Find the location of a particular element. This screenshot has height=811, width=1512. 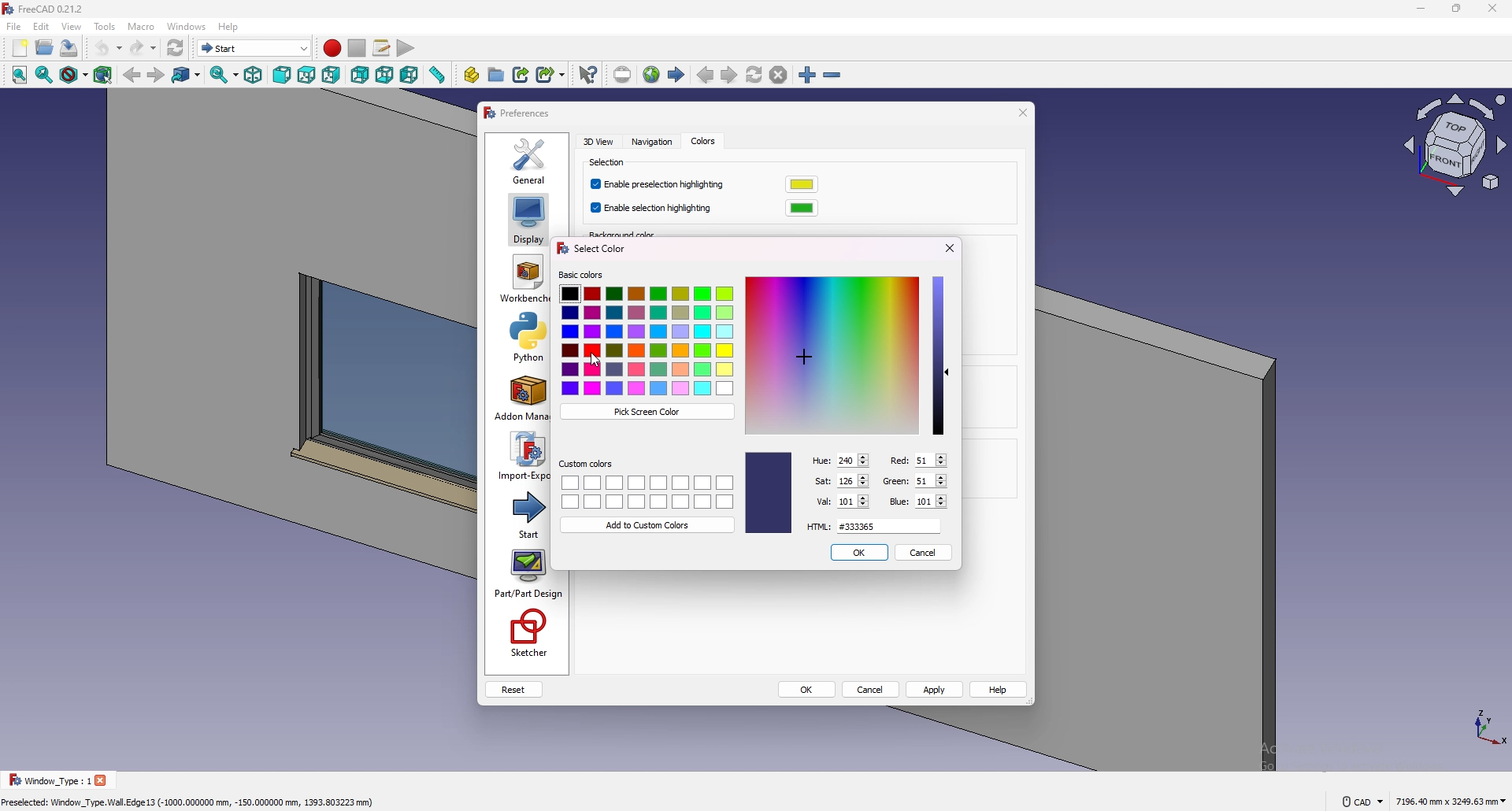

create part is located at coordinates (472, 75).